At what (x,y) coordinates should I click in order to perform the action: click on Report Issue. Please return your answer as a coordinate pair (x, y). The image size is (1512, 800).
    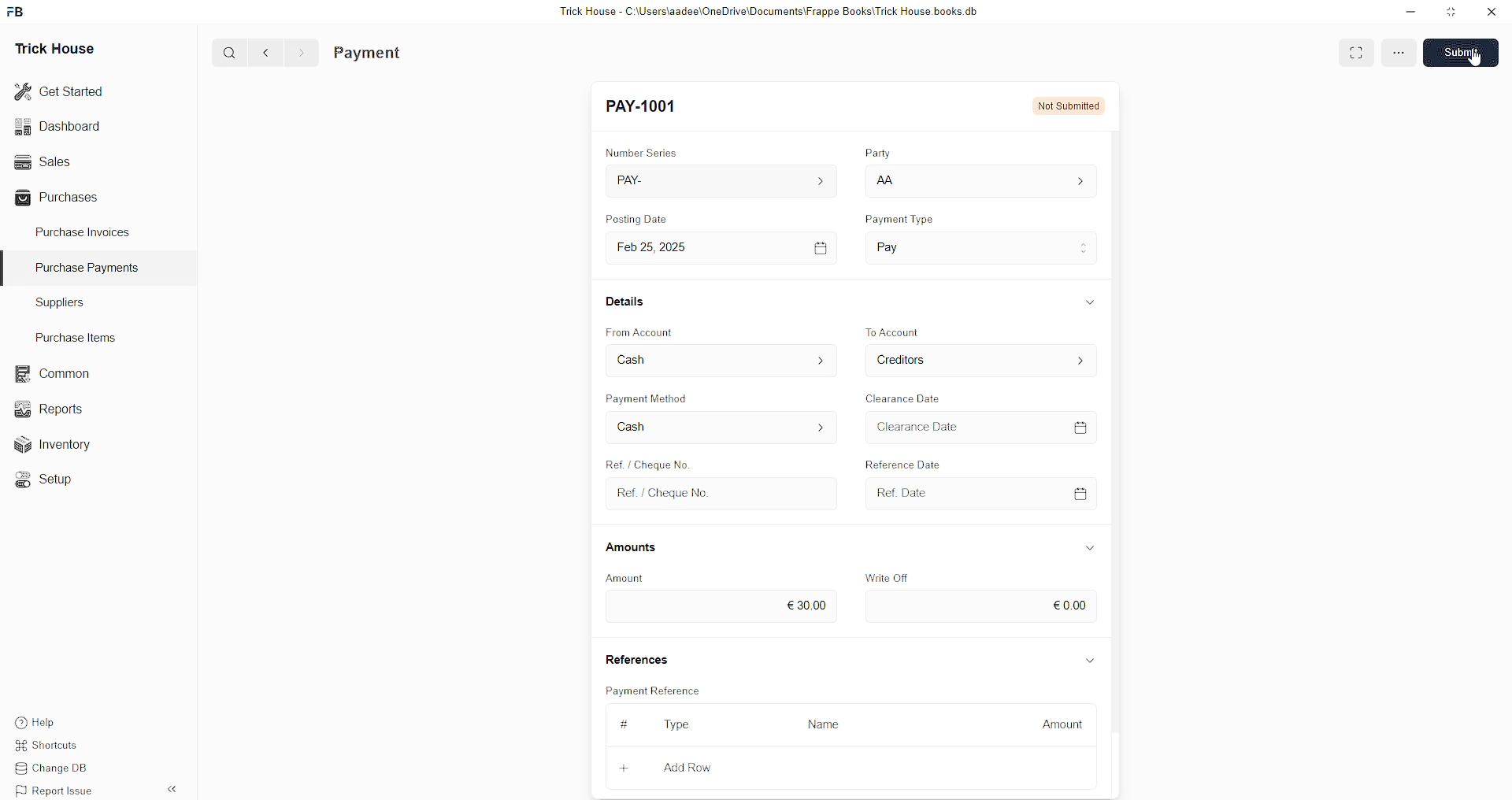
    Looking at the image, I should click on (59, 791).